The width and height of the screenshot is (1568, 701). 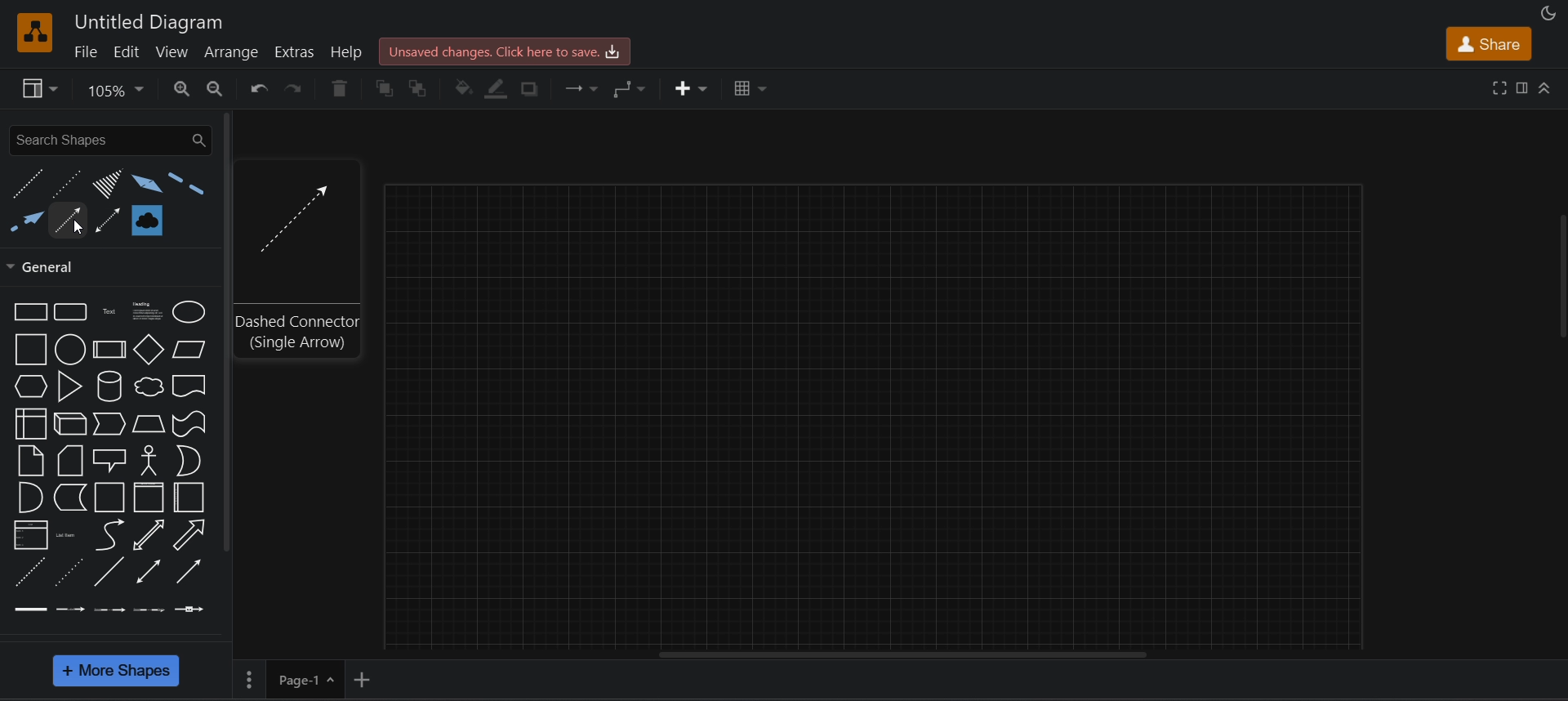 I want to click on connector with label, so click(x=67, y=609).